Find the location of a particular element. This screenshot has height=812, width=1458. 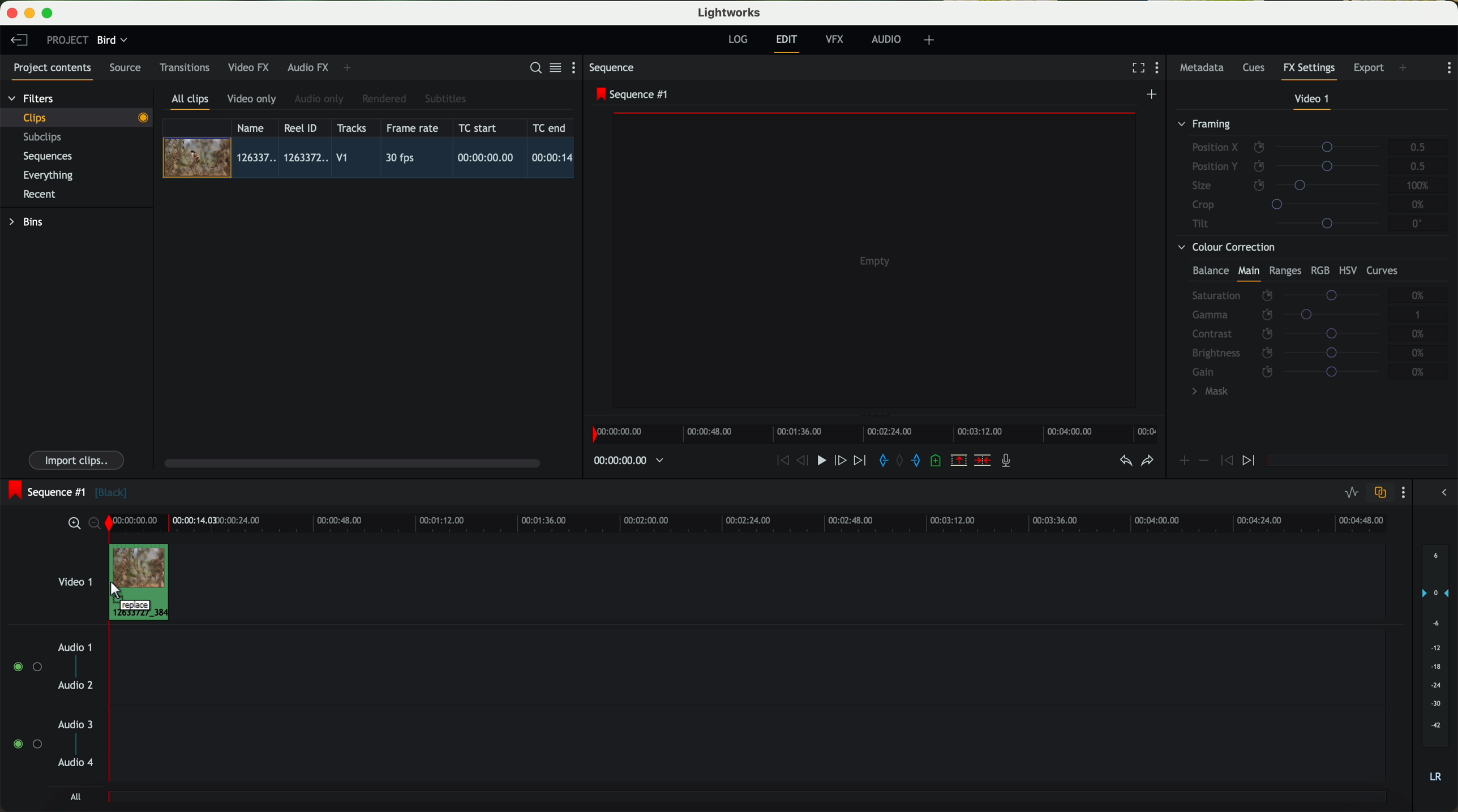

transitions is located at coordinates (184, 67).